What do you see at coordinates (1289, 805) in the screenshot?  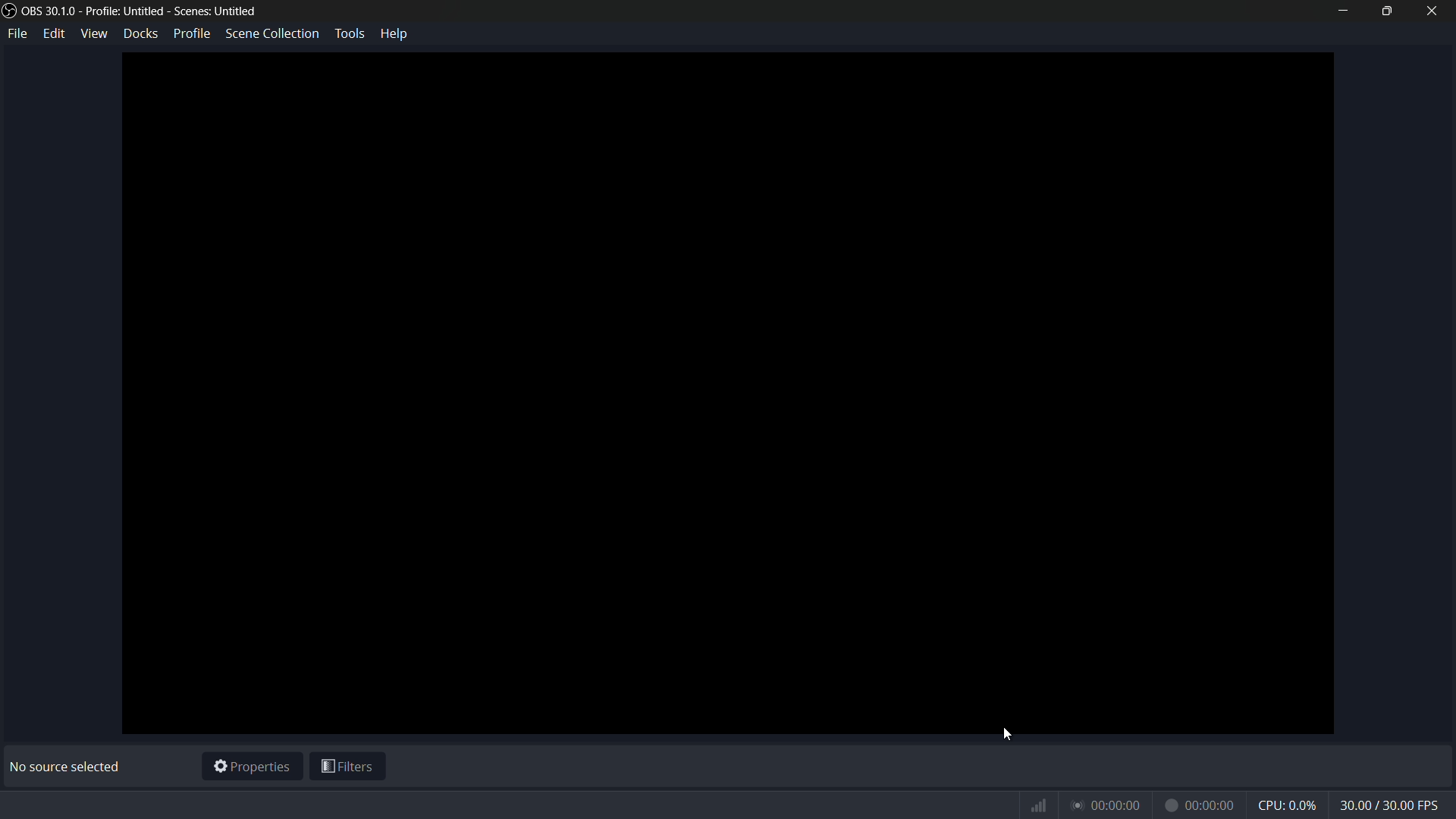 I see `cpu usage` at bounding box center [1289, 805].